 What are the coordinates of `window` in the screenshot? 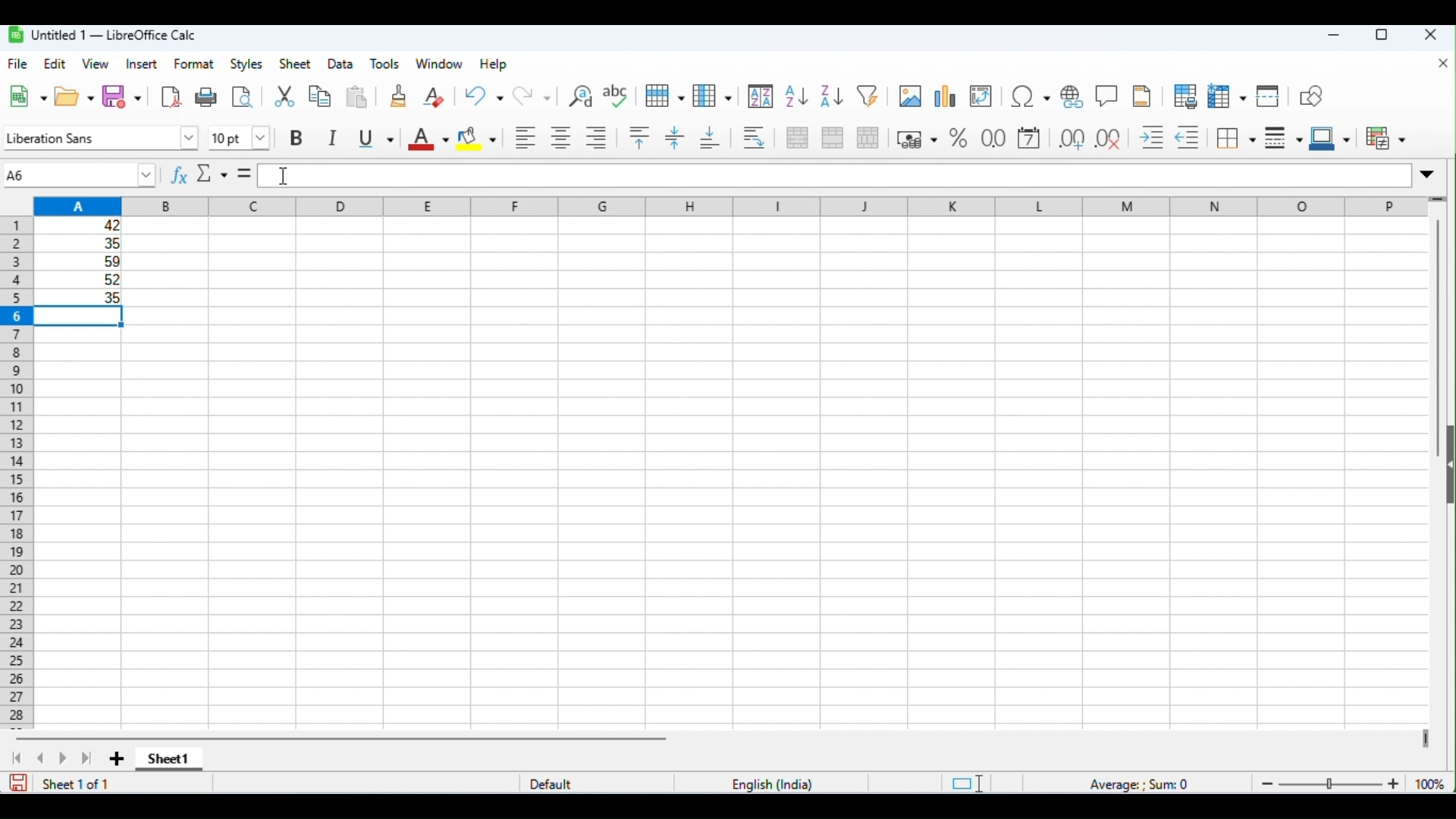 It's located at (440, 65).